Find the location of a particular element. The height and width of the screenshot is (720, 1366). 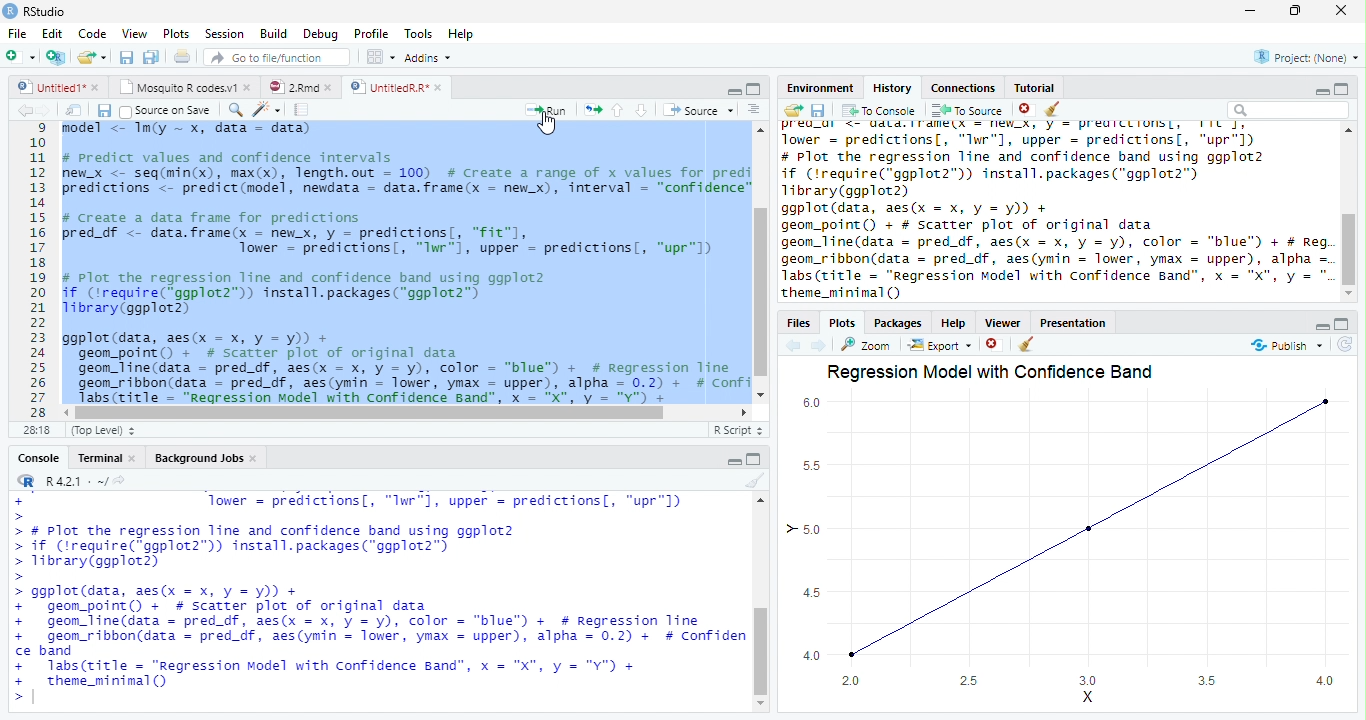

Session is located at coordinates (226, 33).